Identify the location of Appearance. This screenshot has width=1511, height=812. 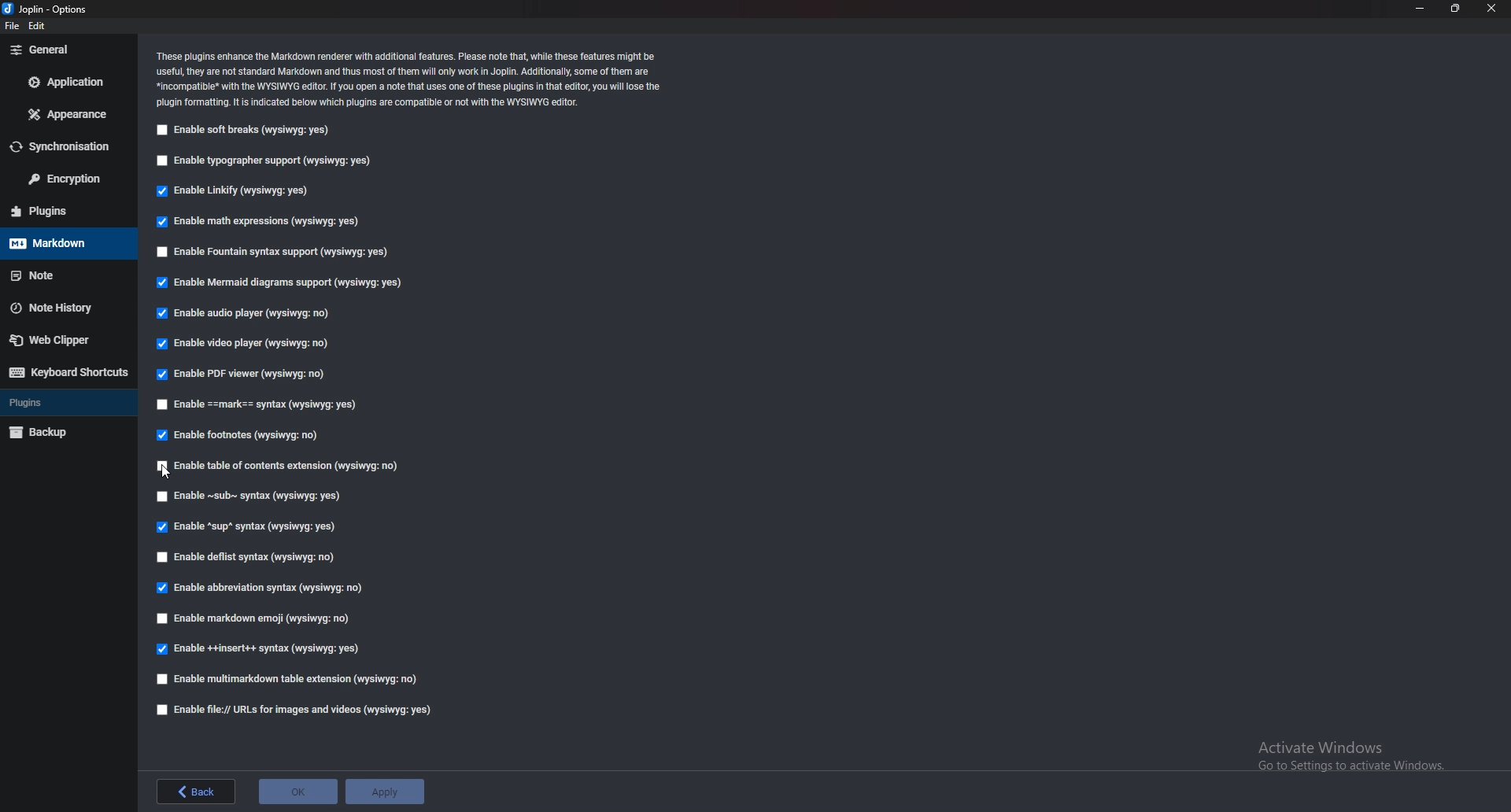
(67, 115).